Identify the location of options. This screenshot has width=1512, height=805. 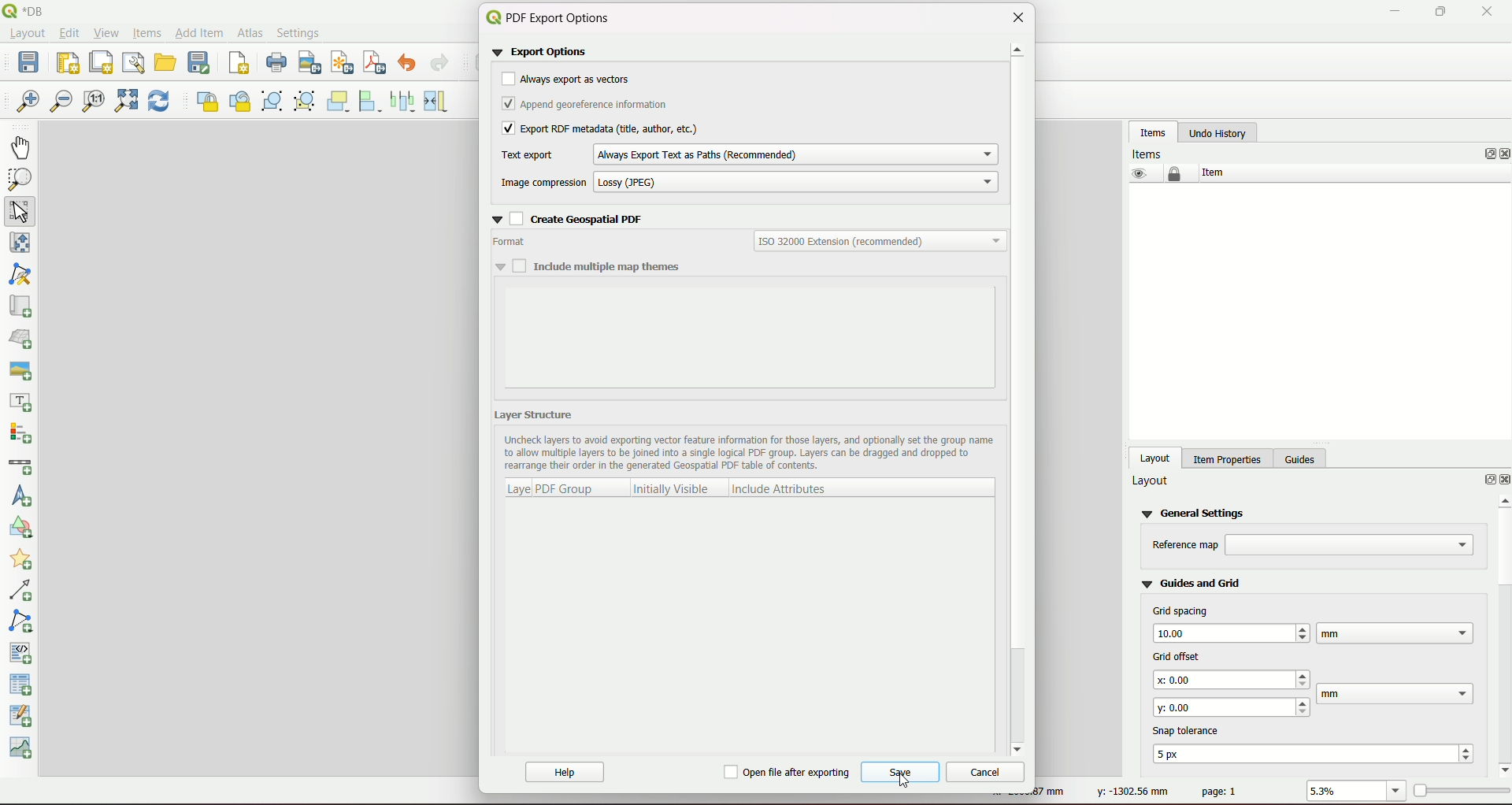
(1482, 154).